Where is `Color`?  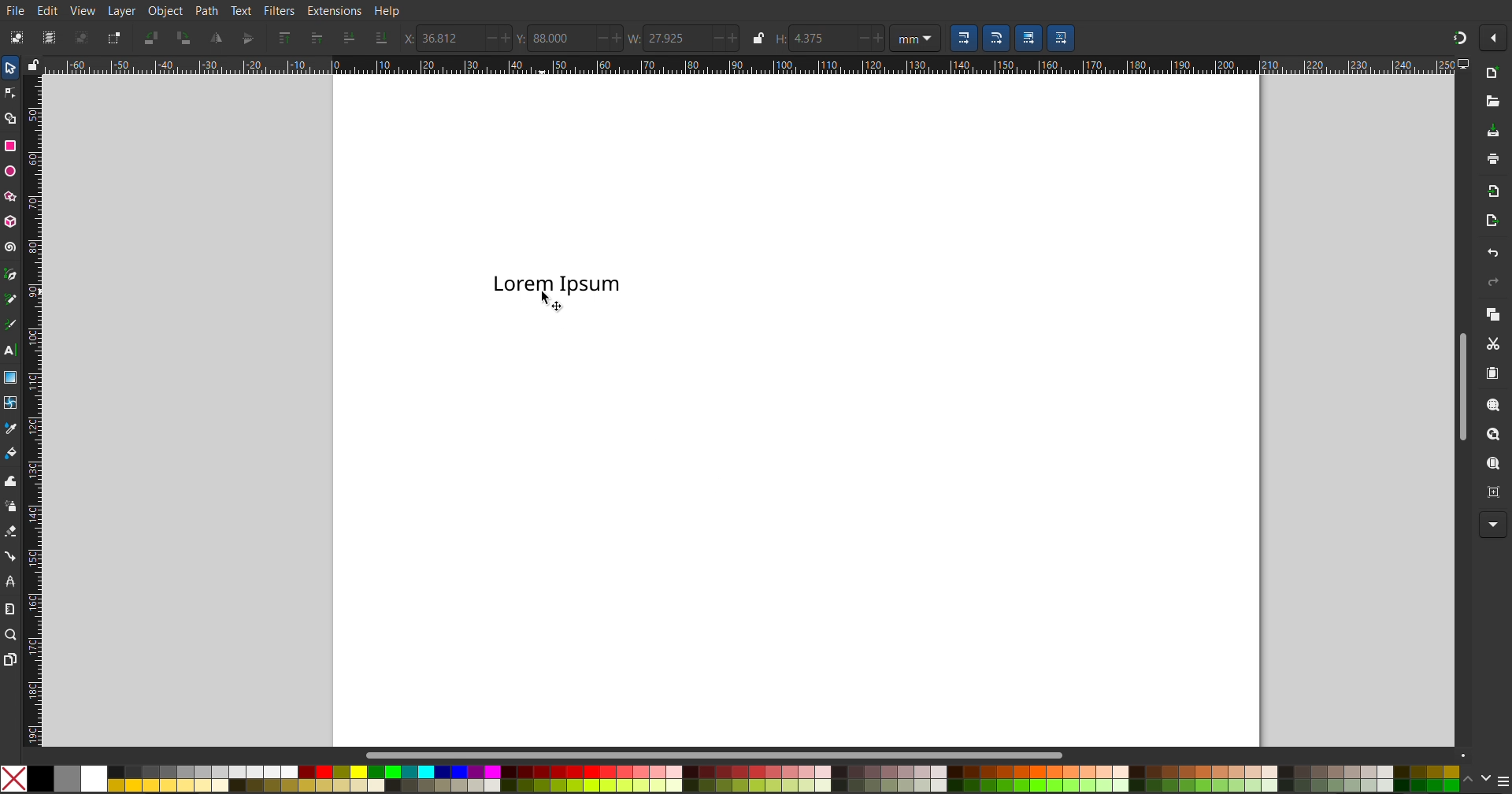
Color is located at coordinates (729, 777).